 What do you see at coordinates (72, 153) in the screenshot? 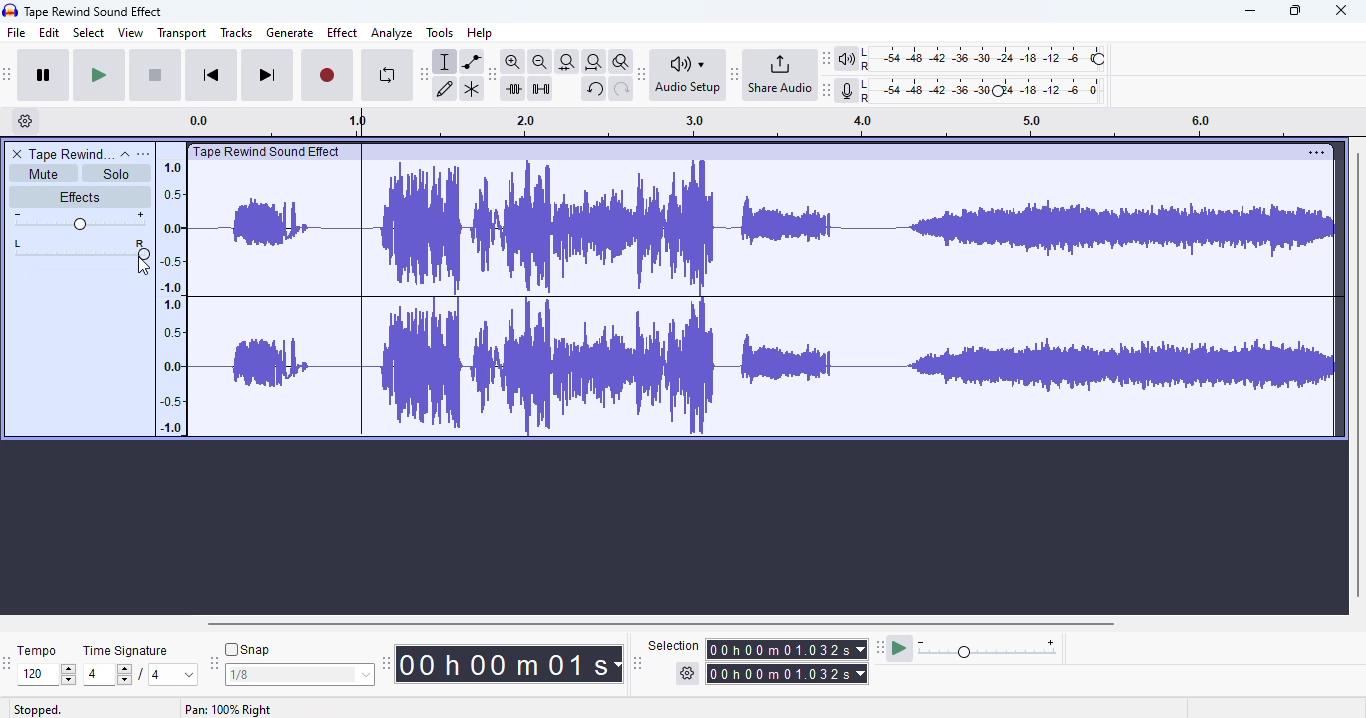
I see `track name` at bounding box center [72, 153].